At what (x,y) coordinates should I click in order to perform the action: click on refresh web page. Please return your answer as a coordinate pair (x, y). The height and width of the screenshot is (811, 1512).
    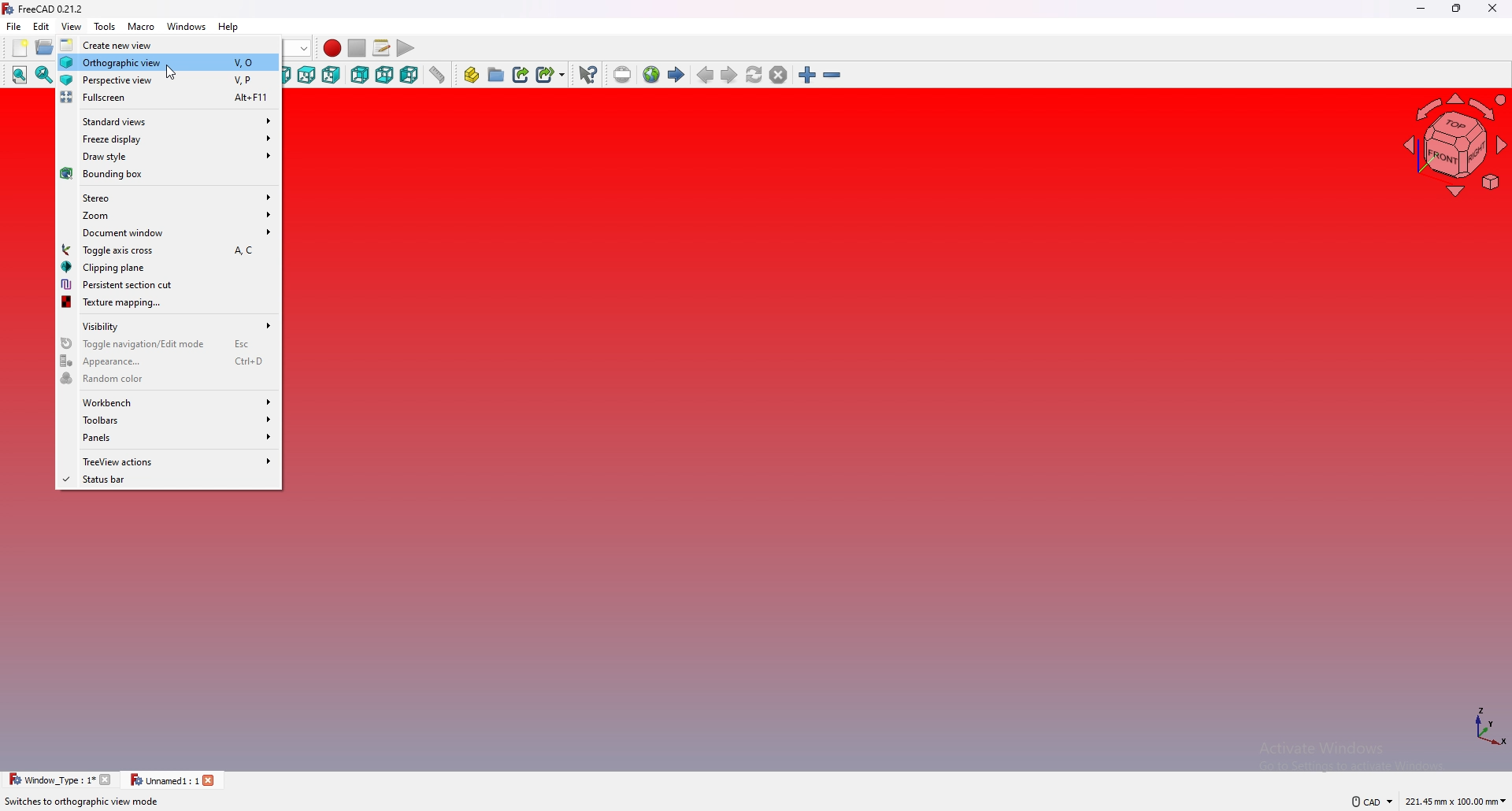
    Looking at the image, I should click on (753, 75).